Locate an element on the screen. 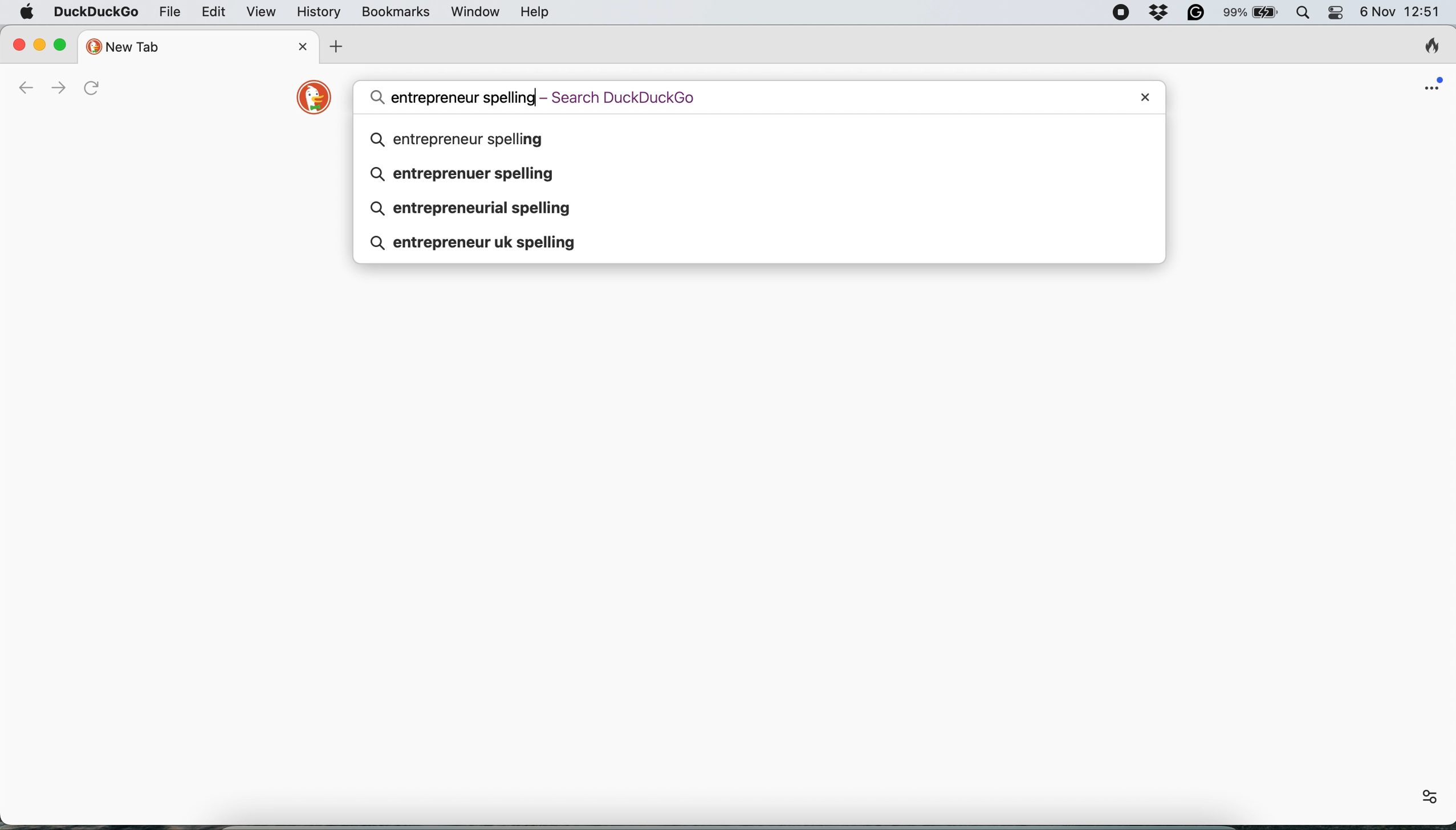 The width and height of the screenshot is (1456, 830). help is located at coordinates (535, 13).